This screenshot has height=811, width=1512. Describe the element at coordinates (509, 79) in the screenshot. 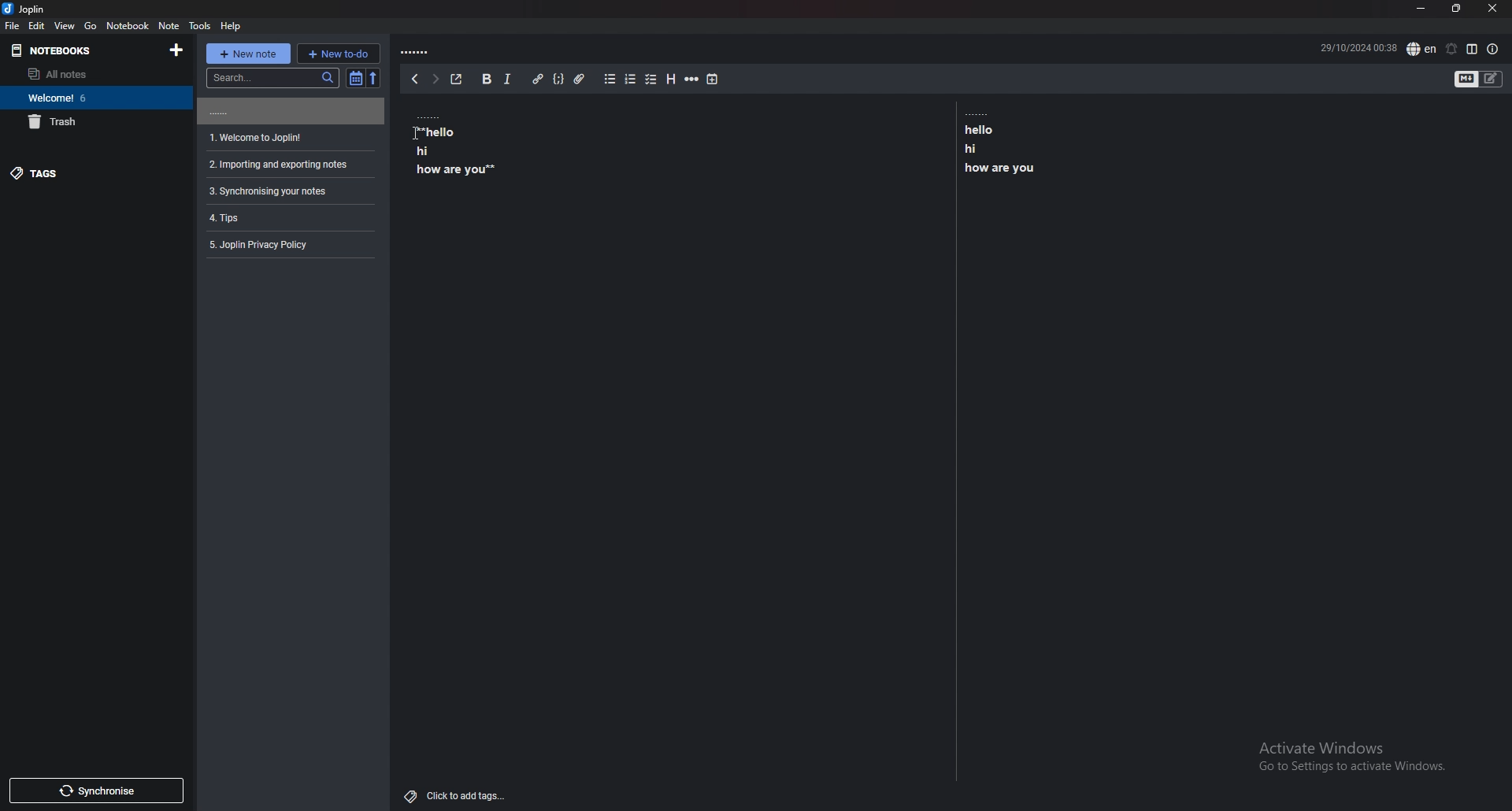

I see `italic` at that location.